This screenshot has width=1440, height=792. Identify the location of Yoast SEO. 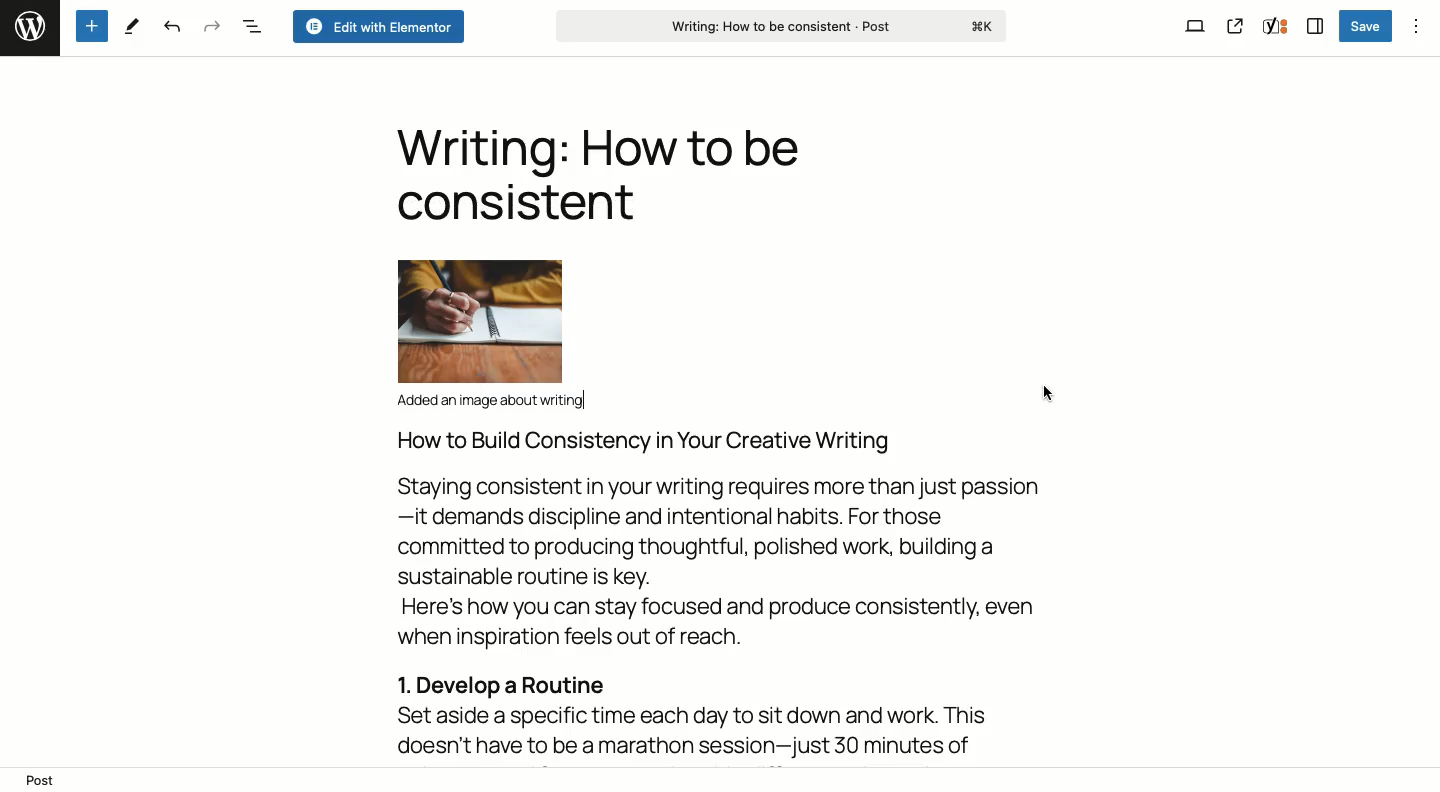
(1274, 28).